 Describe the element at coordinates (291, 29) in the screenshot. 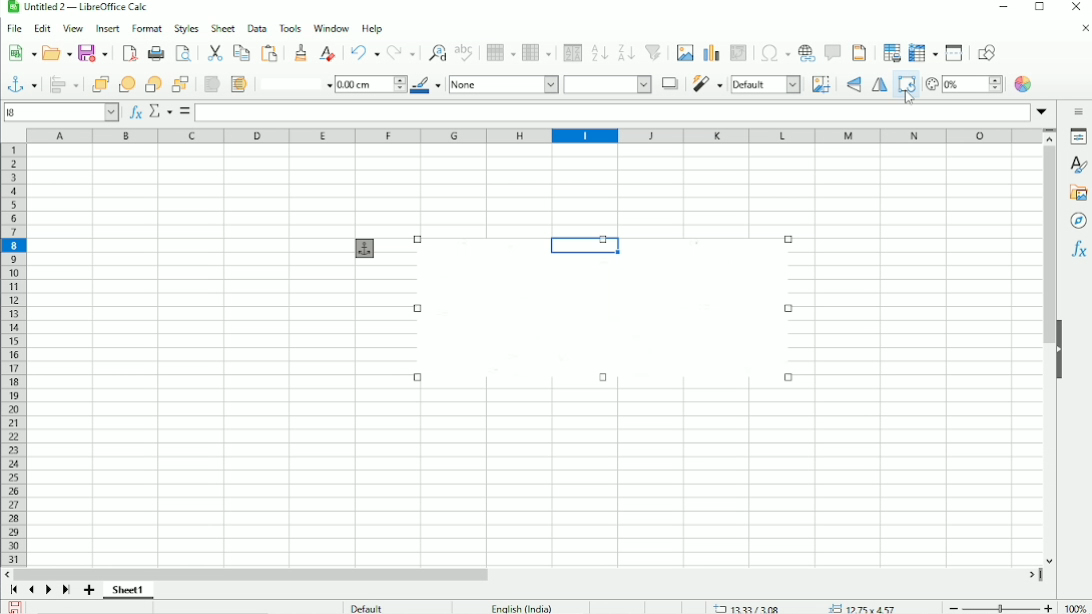

I see `Tools` at that location.